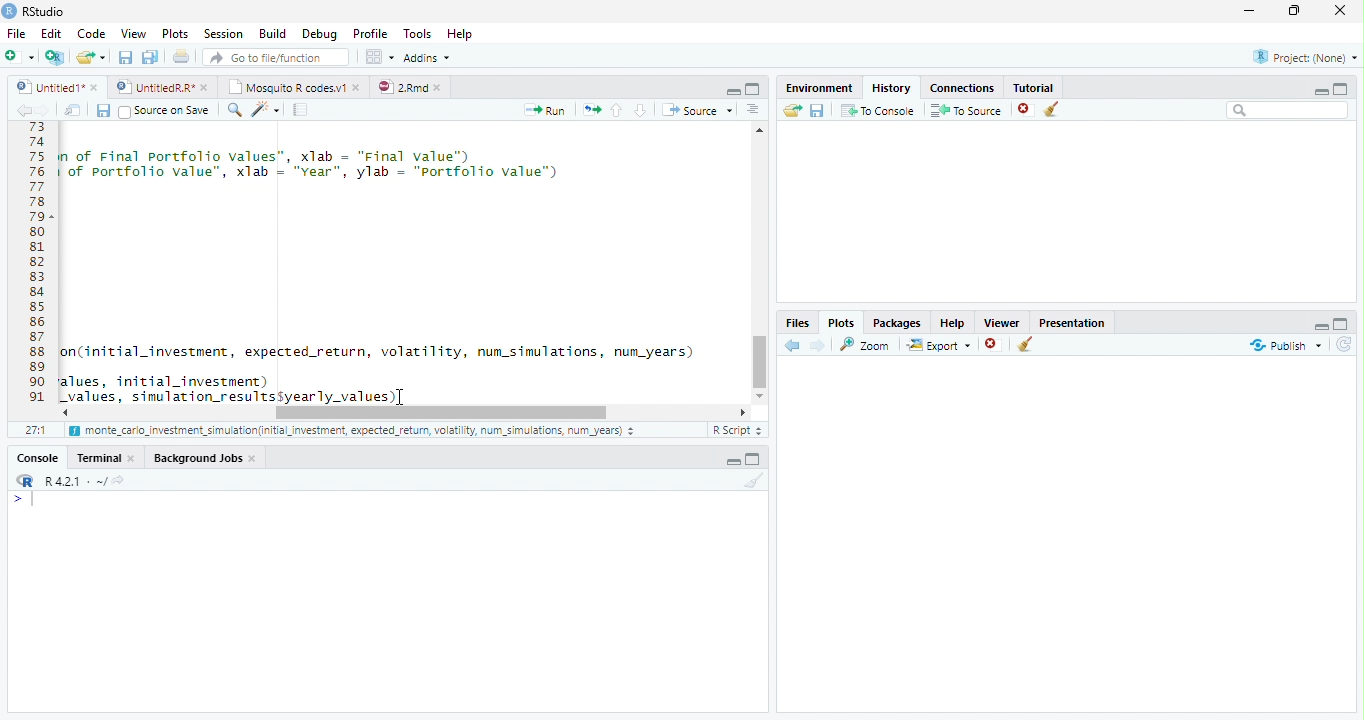  Describe the element at coordinates (399, 397) in the screenshot. I see `Mouse Cursor` at that location.